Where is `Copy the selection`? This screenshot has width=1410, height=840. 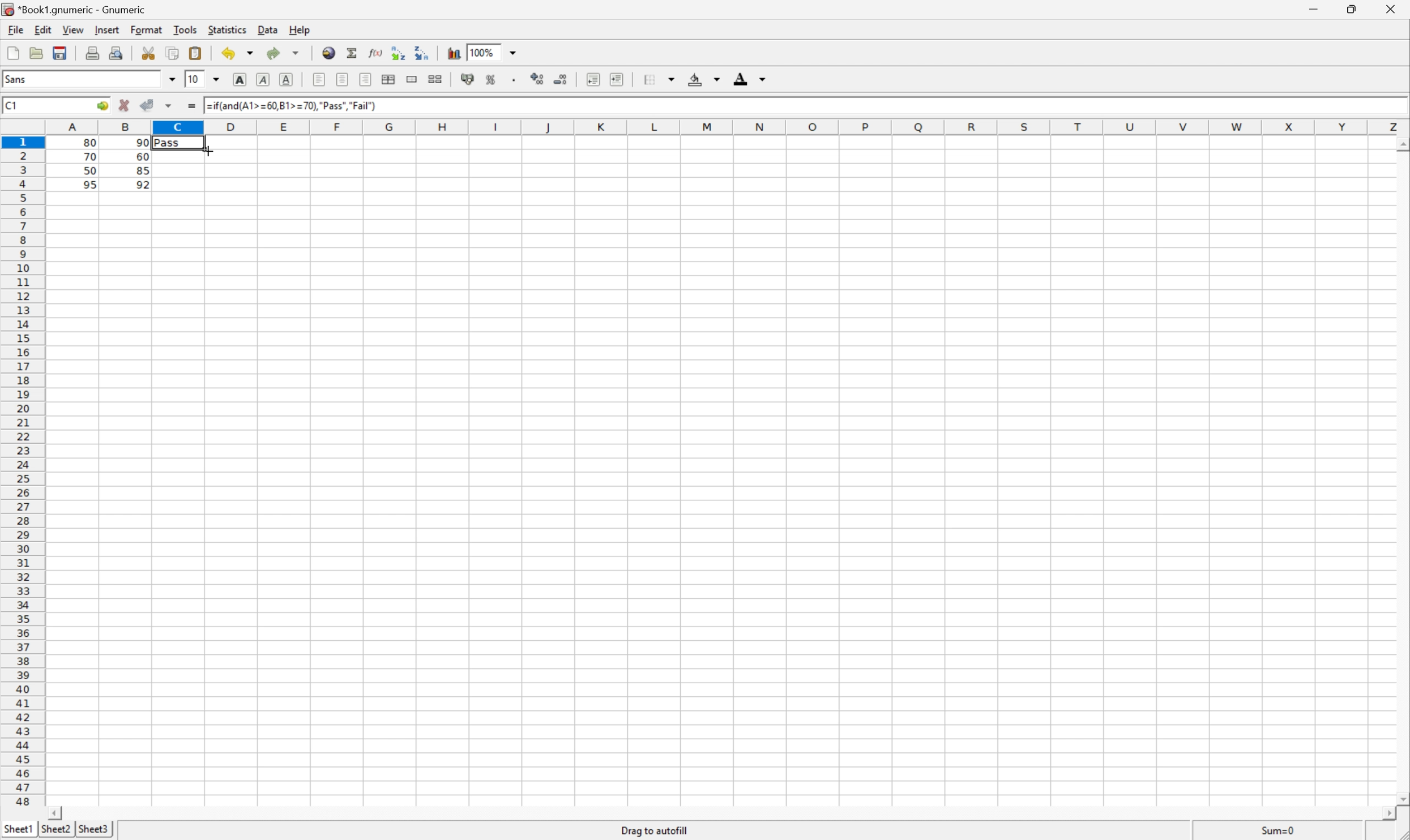 Copy the selection is located at coordinates (174, 52).